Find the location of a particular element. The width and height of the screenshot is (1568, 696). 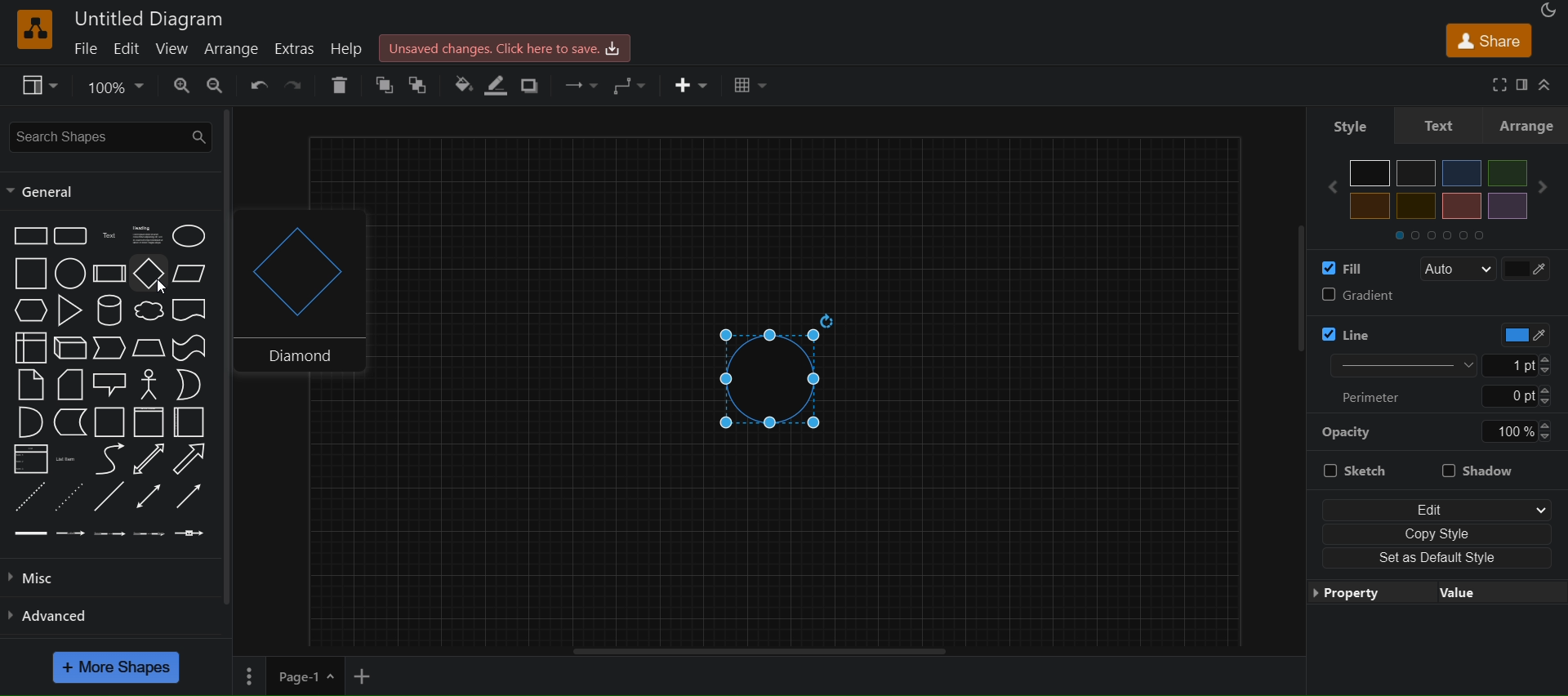

zoom in is located at coordinates (181, 86).